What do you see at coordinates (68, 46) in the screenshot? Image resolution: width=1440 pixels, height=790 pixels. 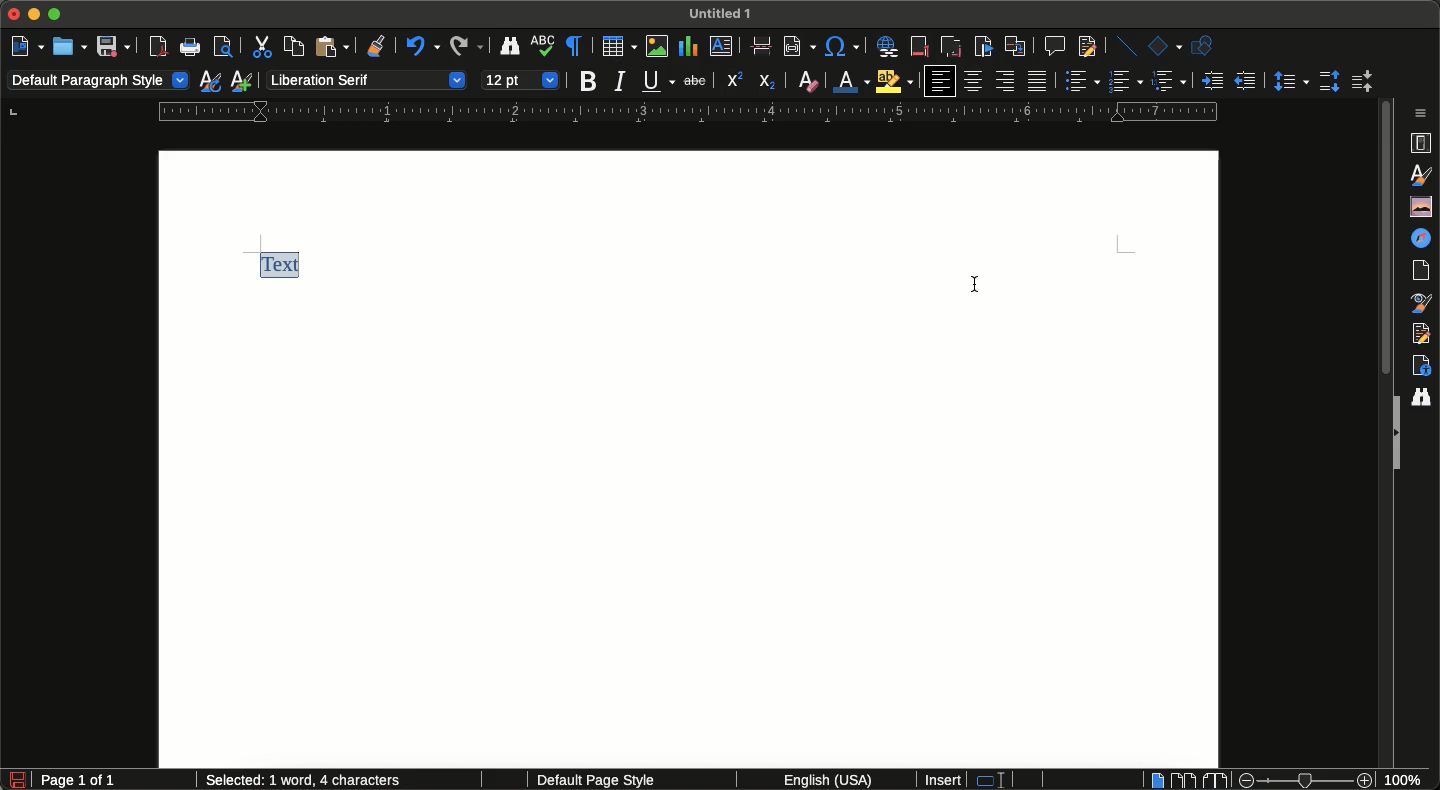 I see `Open` at bounding box center [68, 46].